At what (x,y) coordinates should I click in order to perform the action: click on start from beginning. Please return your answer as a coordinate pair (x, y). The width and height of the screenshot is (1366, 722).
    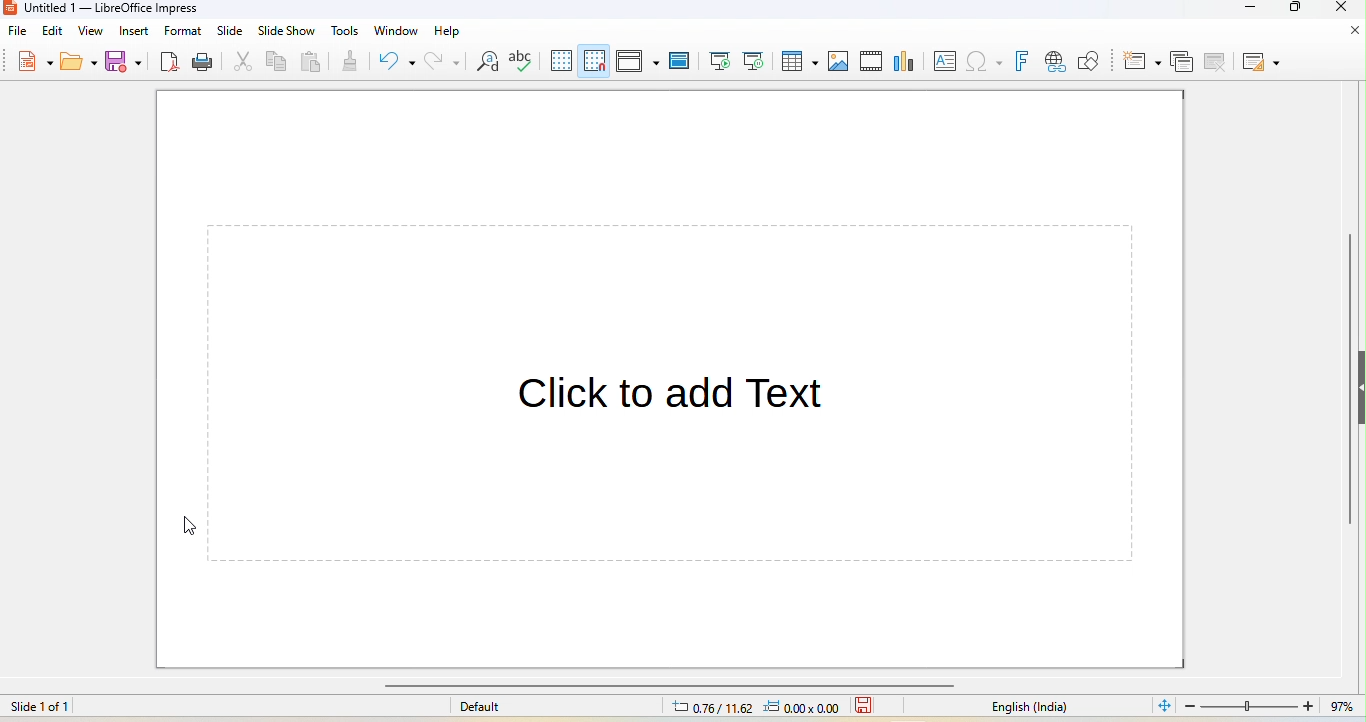
    Looking at the image, I should click on (720, 60).